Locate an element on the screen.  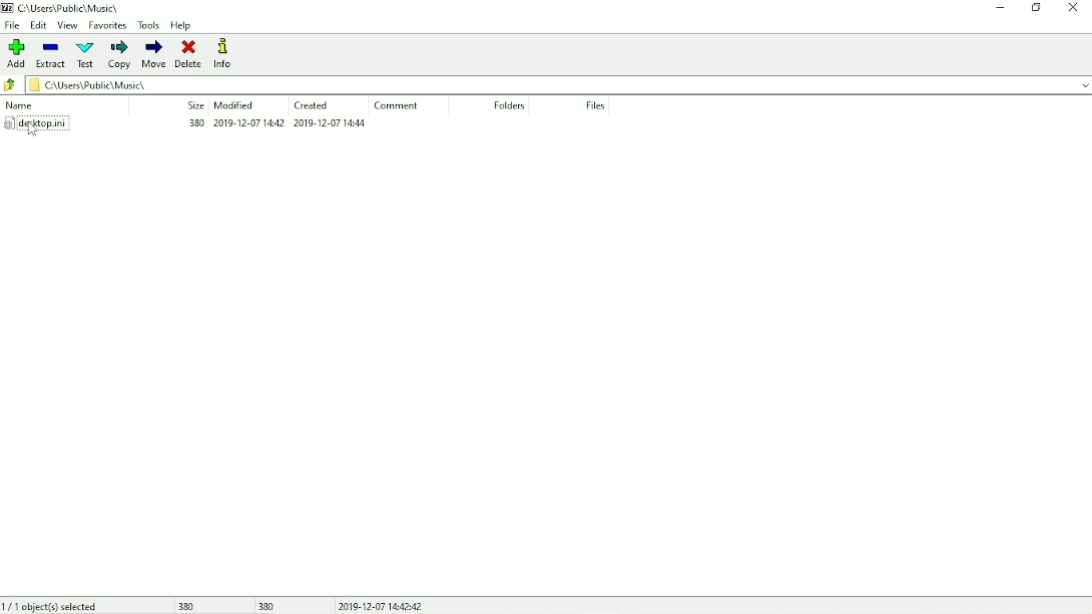
Restore down is located at coordinates (1037, 7).